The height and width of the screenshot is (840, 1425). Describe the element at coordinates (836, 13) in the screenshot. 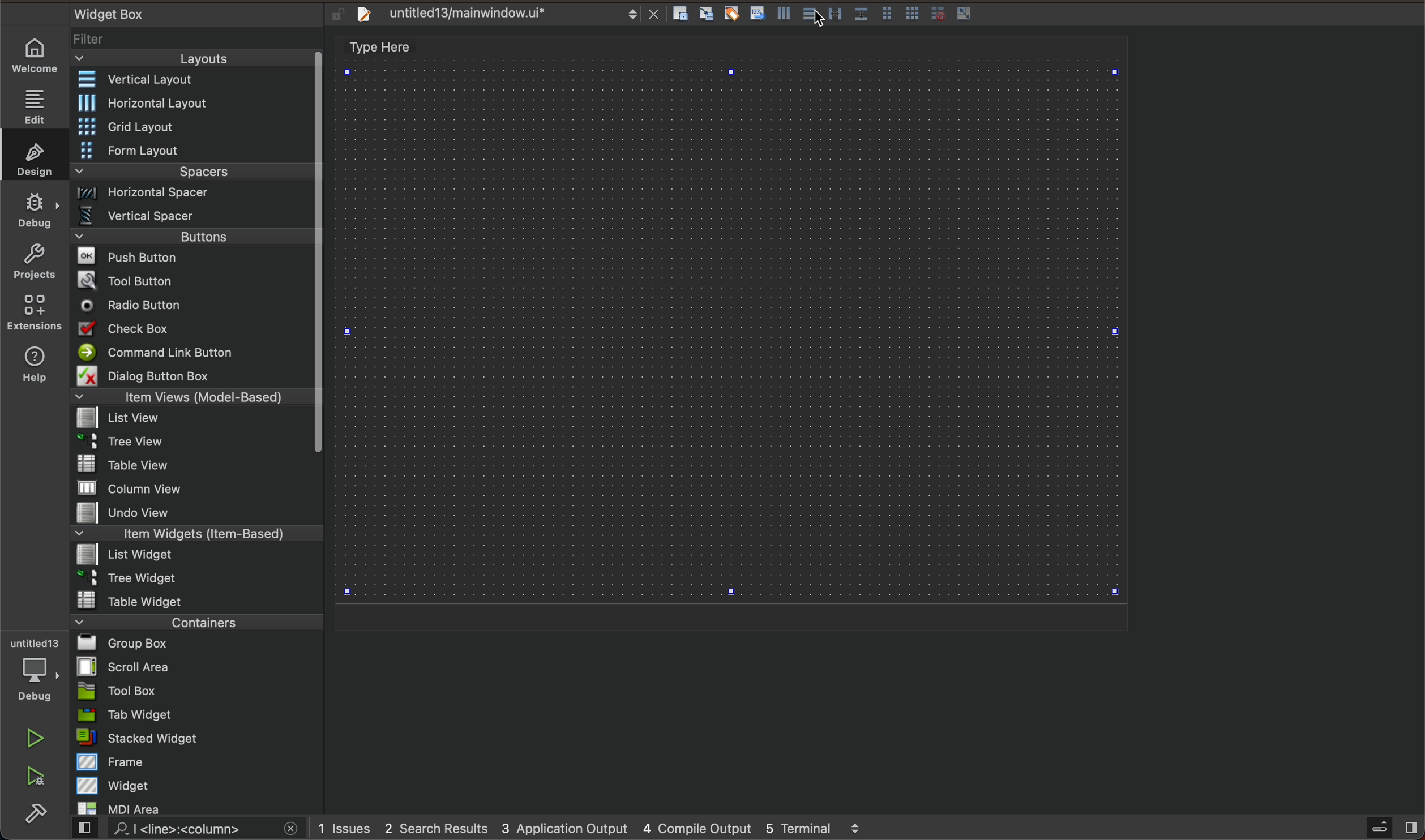

I see `vertical splitter` at that location.